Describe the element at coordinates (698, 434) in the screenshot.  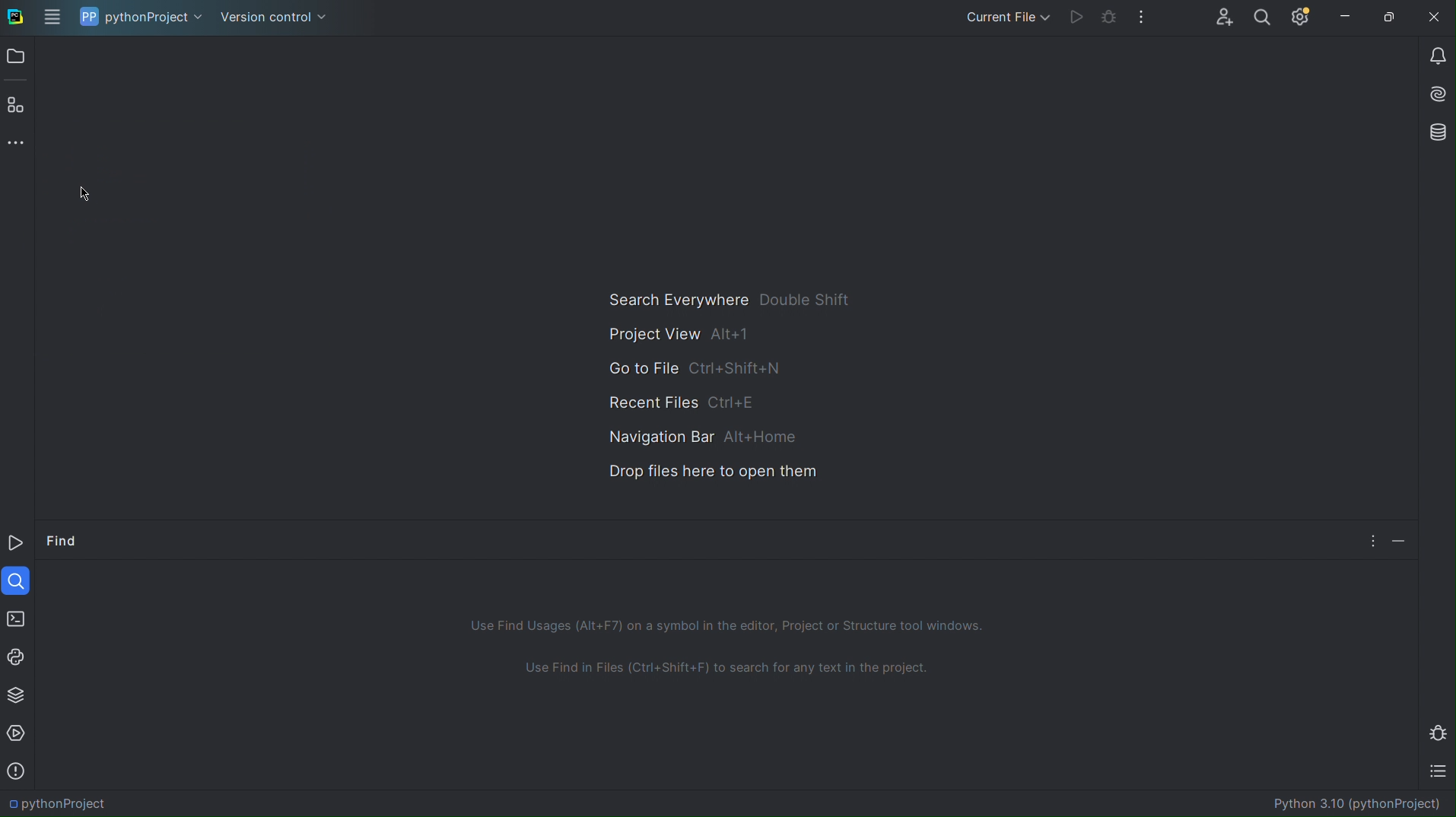
I see `Navigation Bar` at that location.